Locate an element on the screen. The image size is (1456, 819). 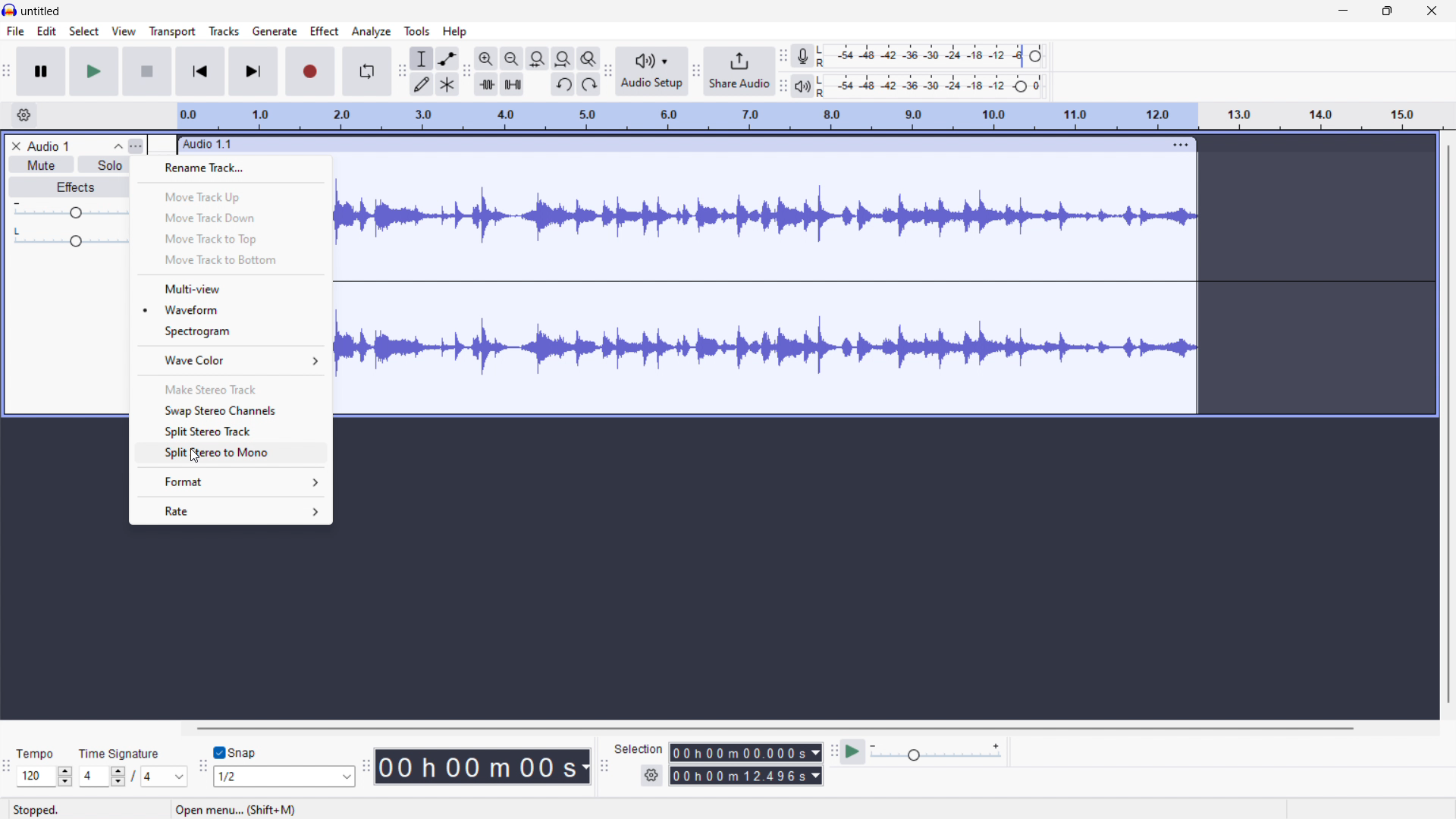
playback meter toolbar is located at coordinates (695, 72).